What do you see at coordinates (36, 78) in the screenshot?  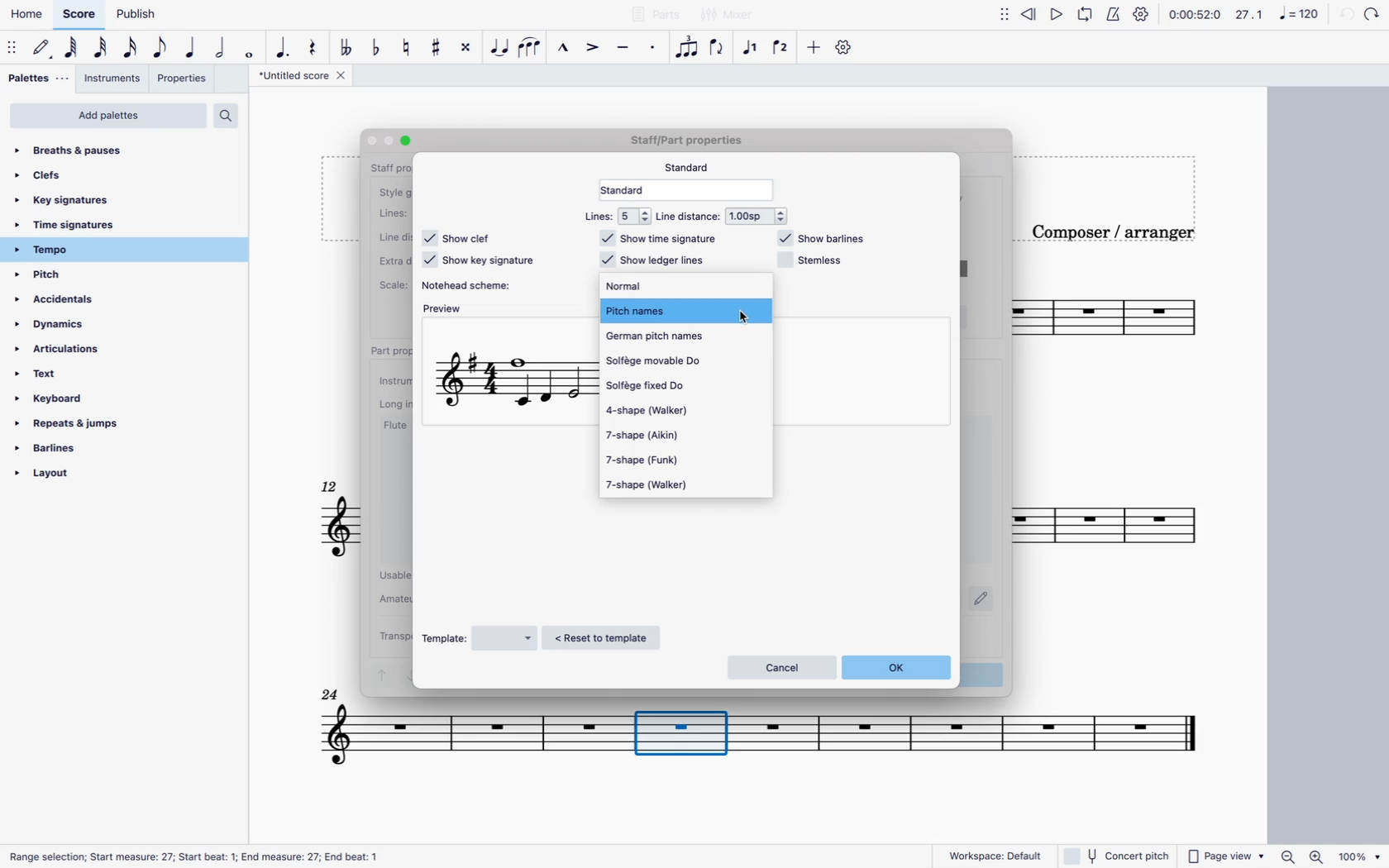 I see `palettes` at bounding box center [36, 78].